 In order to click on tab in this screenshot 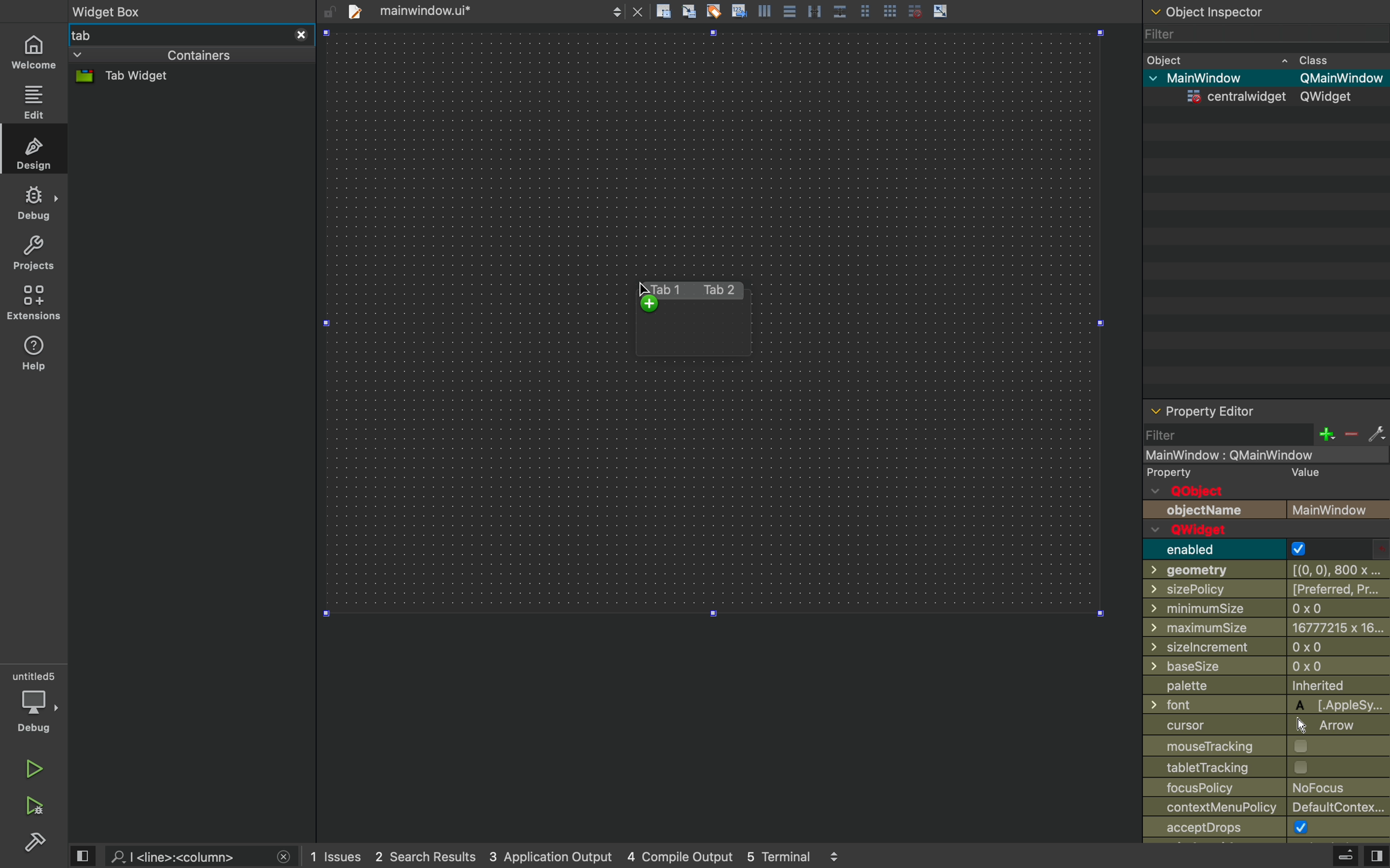, I will do `click(465, 10)`.